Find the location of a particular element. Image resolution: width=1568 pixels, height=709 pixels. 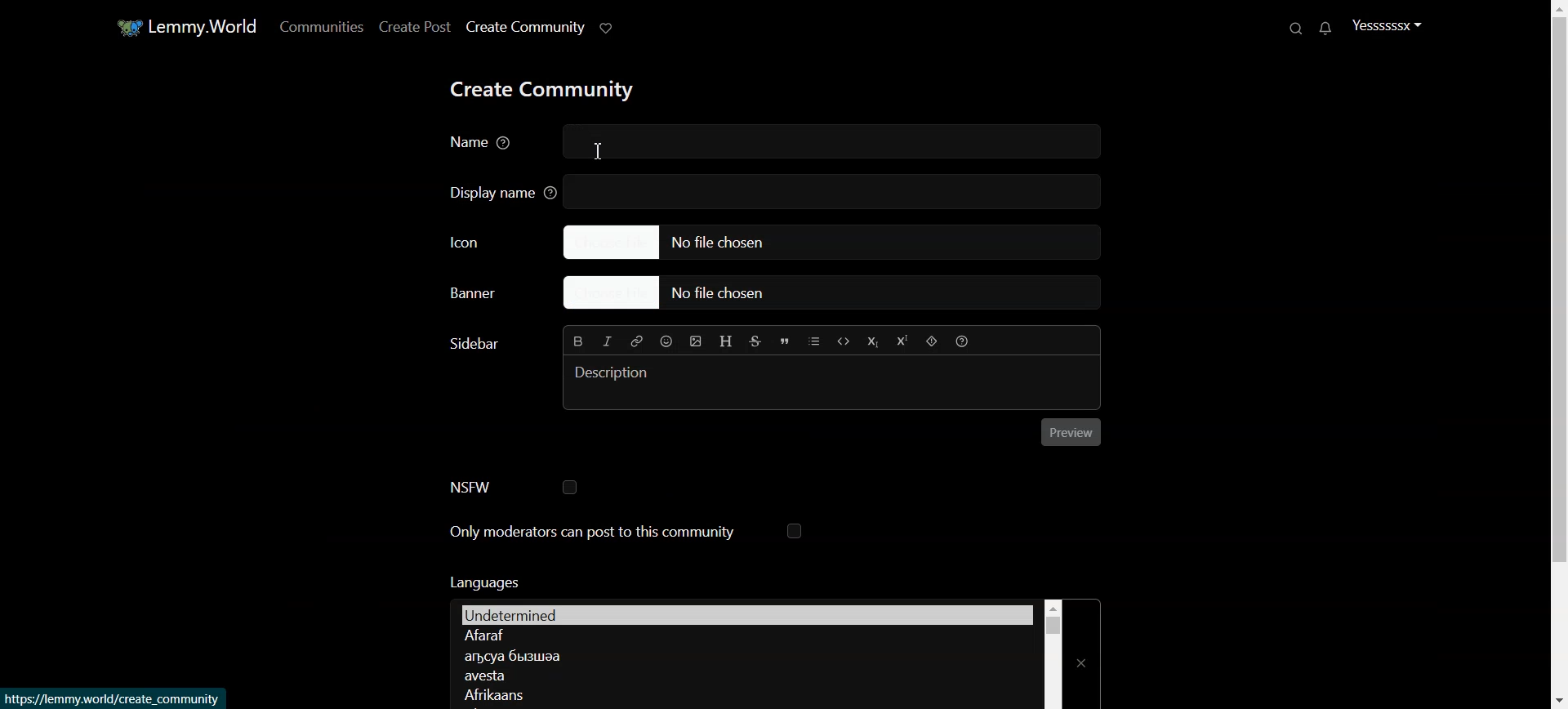

Code is located at coordinates (844, 341).